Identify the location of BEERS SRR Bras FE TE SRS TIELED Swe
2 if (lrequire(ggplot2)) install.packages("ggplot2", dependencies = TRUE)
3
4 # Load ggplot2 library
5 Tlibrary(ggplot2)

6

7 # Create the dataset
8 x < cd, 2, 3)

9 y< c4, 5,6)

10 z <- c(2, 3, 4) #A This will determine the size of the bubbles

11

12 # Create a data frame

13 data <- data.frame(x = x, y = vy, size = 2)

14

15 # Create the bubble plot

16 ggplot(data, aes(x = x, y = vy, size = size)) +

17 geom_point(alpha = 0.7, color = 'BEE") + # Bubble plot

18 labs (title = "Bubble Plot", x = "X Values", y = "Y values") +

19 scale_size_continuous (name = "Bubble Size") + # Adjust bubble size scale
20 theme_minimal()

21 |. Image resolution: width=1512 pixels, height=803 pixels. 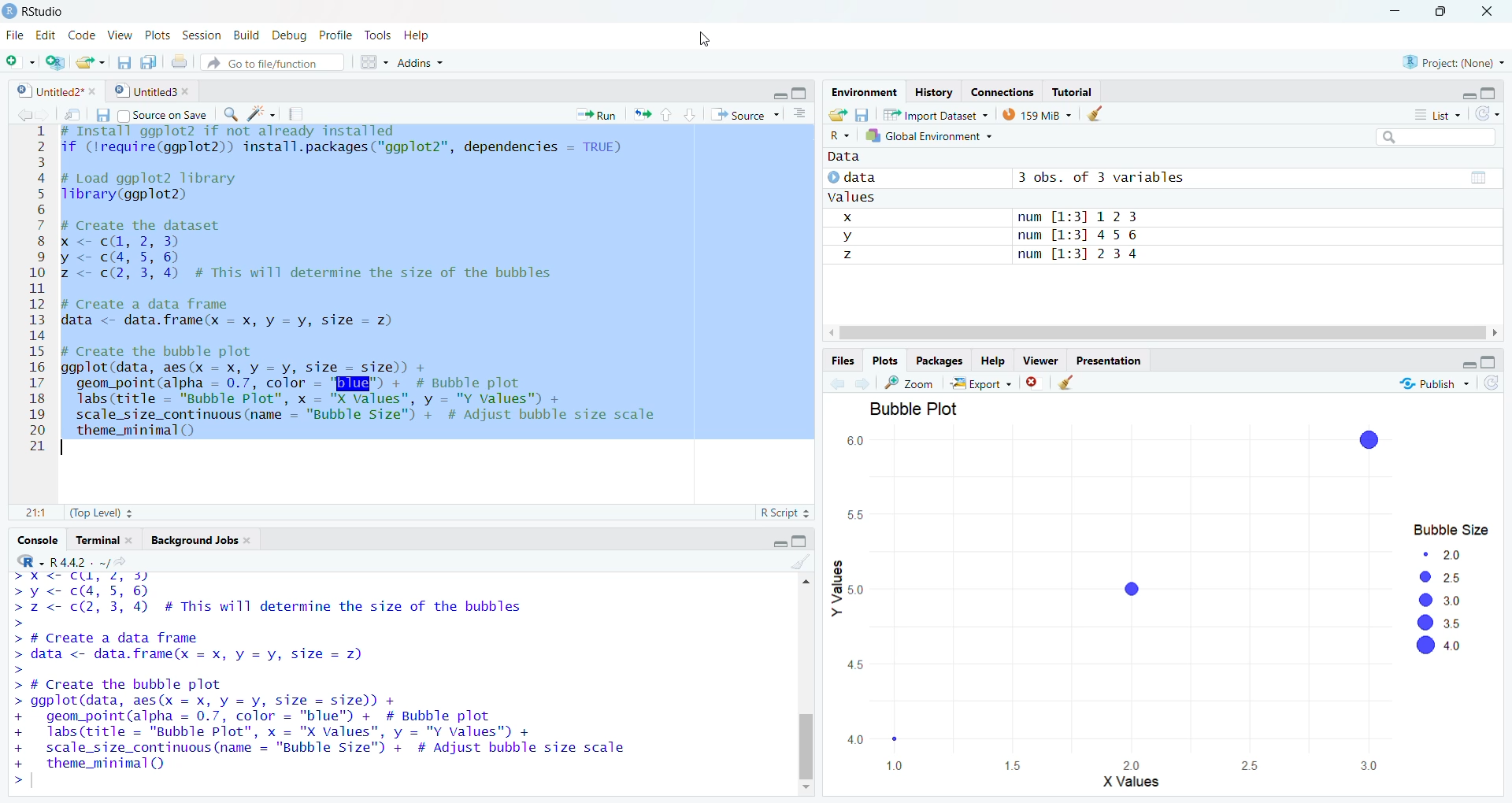
(407, 296).